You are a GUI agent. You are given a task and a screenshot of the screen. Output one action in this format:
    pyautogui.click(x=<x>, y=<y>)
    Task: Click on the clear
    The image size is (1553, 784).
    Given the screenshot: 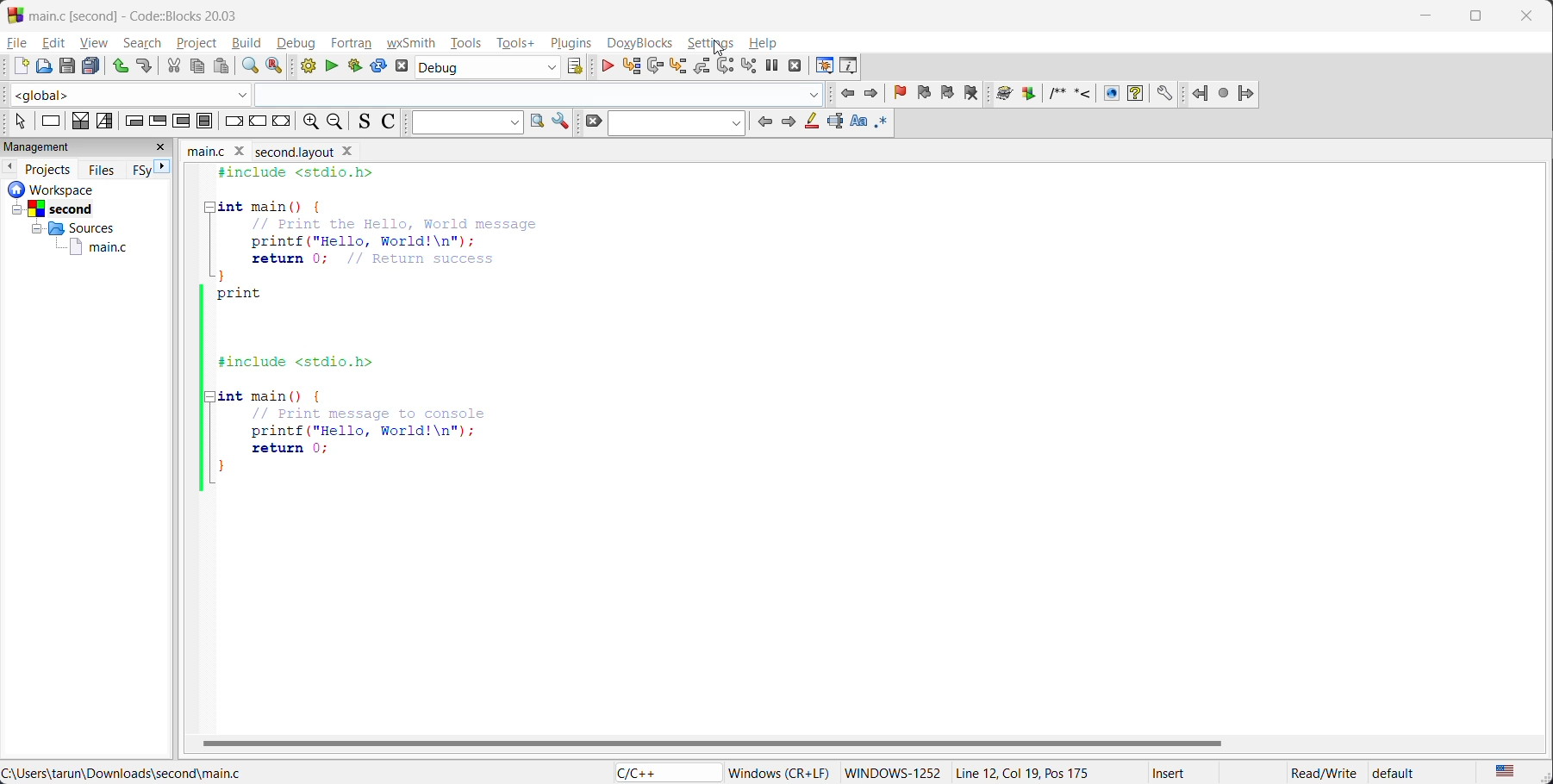 What is the action you would take?
    pyautogui.click(x=593, y=122)
    